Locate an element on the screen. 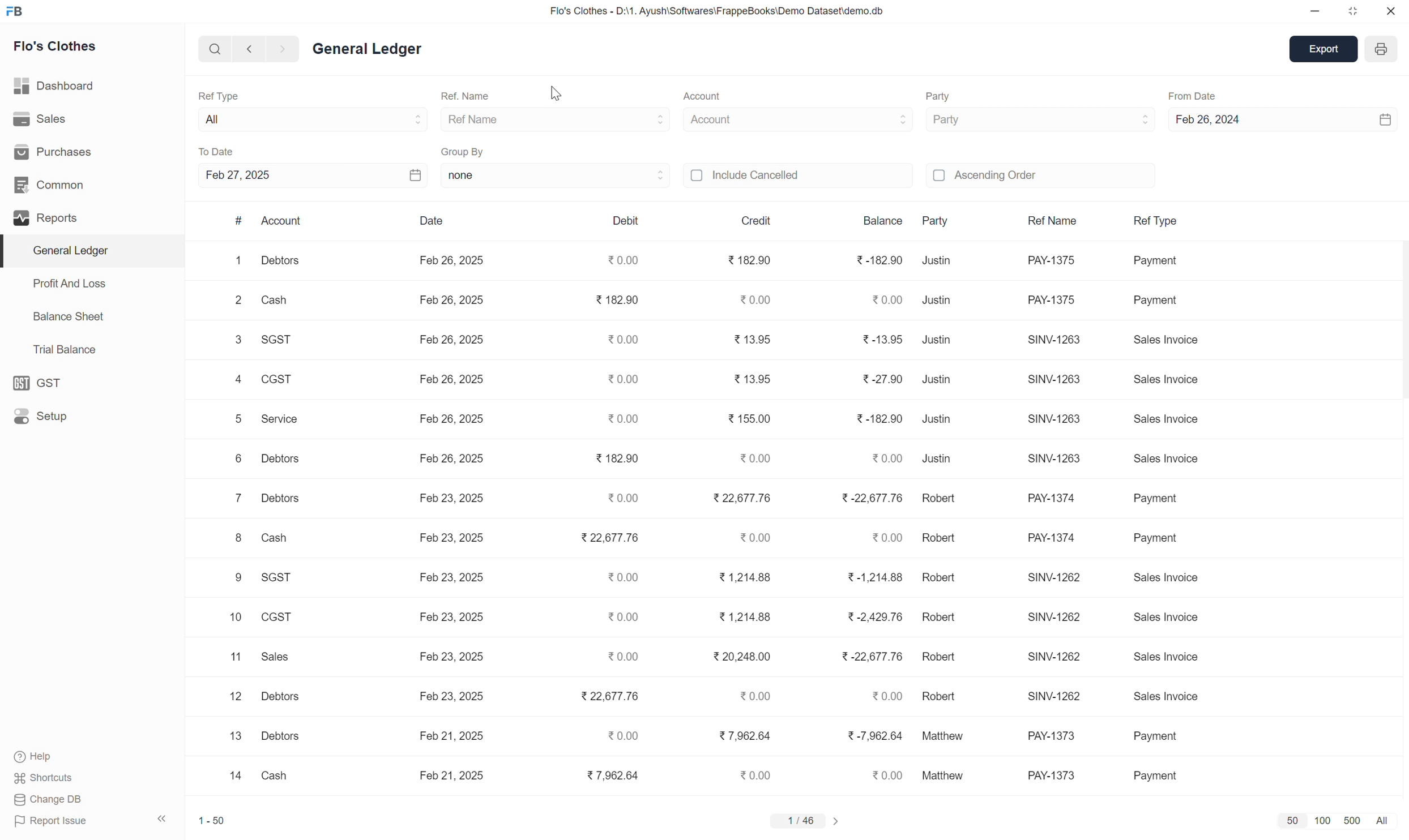 Image resolution: width=1409 pixels, height=840 pixels. 0.00 is located at coordinates (621, 735).